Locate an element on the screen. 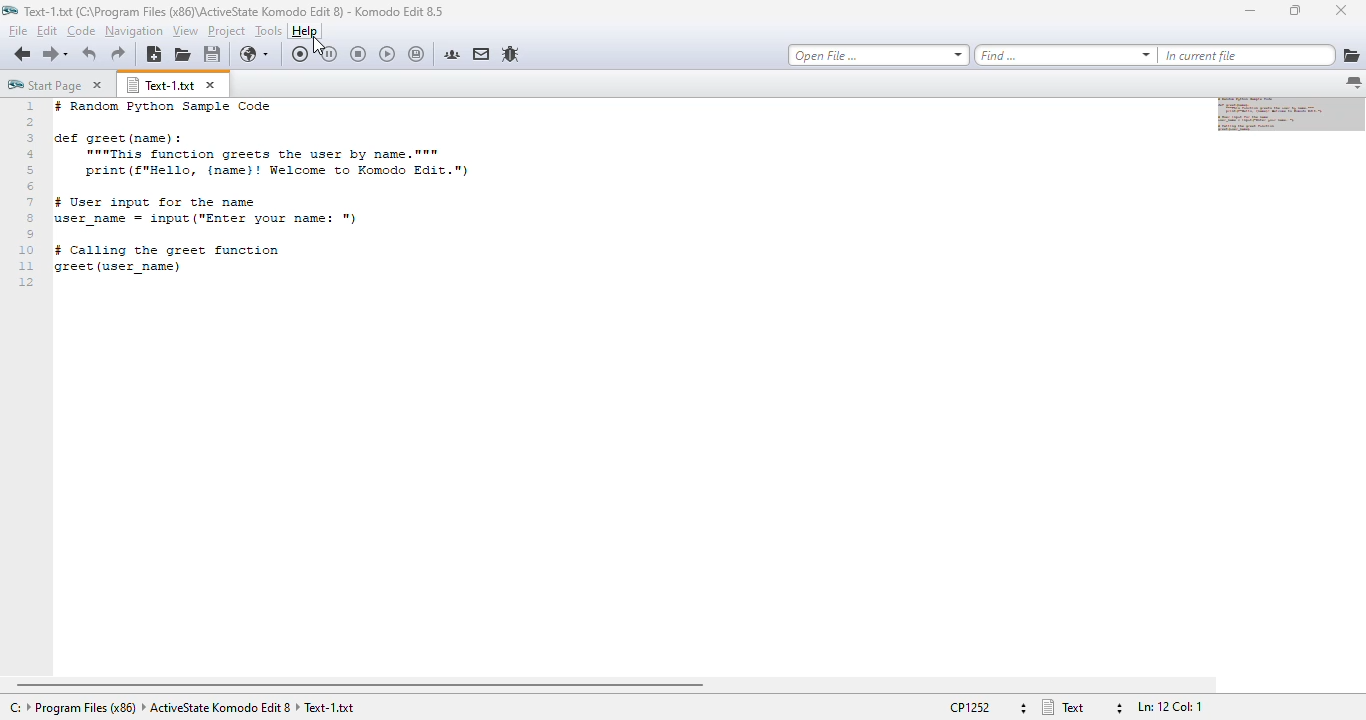  close tab is located at coordinates (97, 85).